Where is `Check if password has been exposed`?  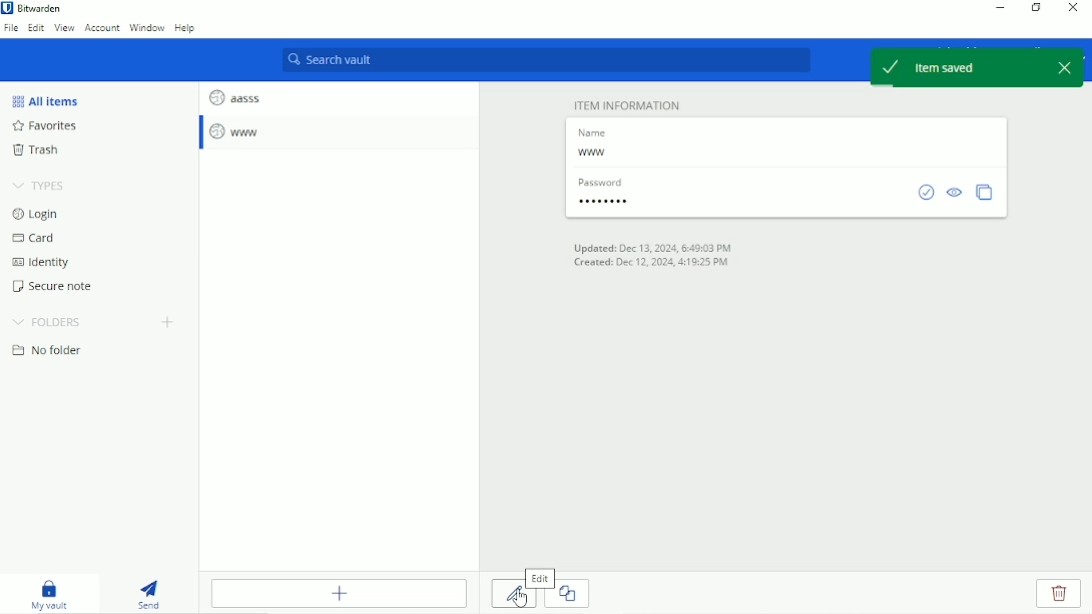
Check if password has been exposed is located at coordinates (925, 192).